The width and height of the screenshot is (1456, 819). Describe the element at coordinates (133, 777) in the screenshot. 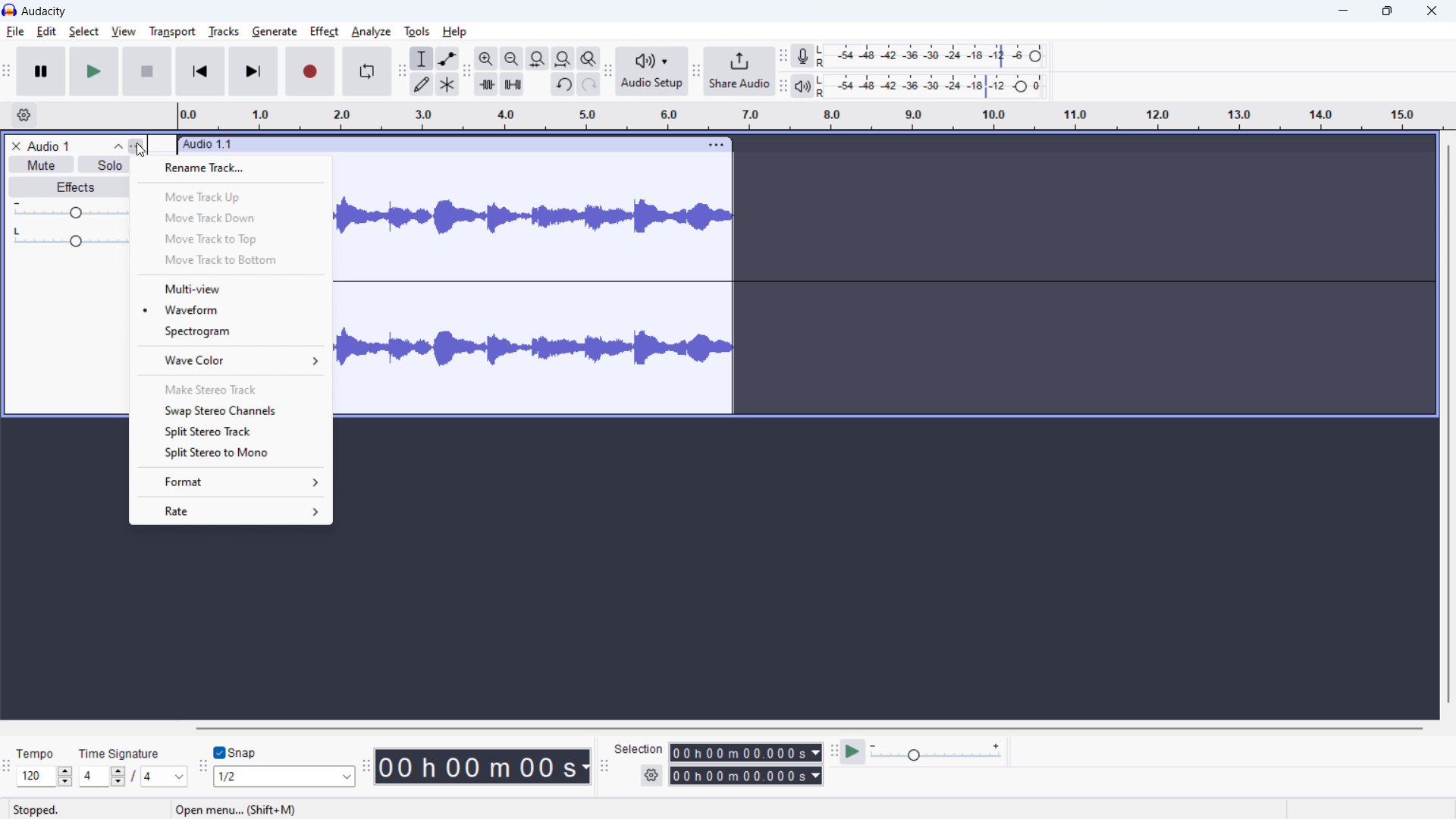

I see `set time signature` at that location.